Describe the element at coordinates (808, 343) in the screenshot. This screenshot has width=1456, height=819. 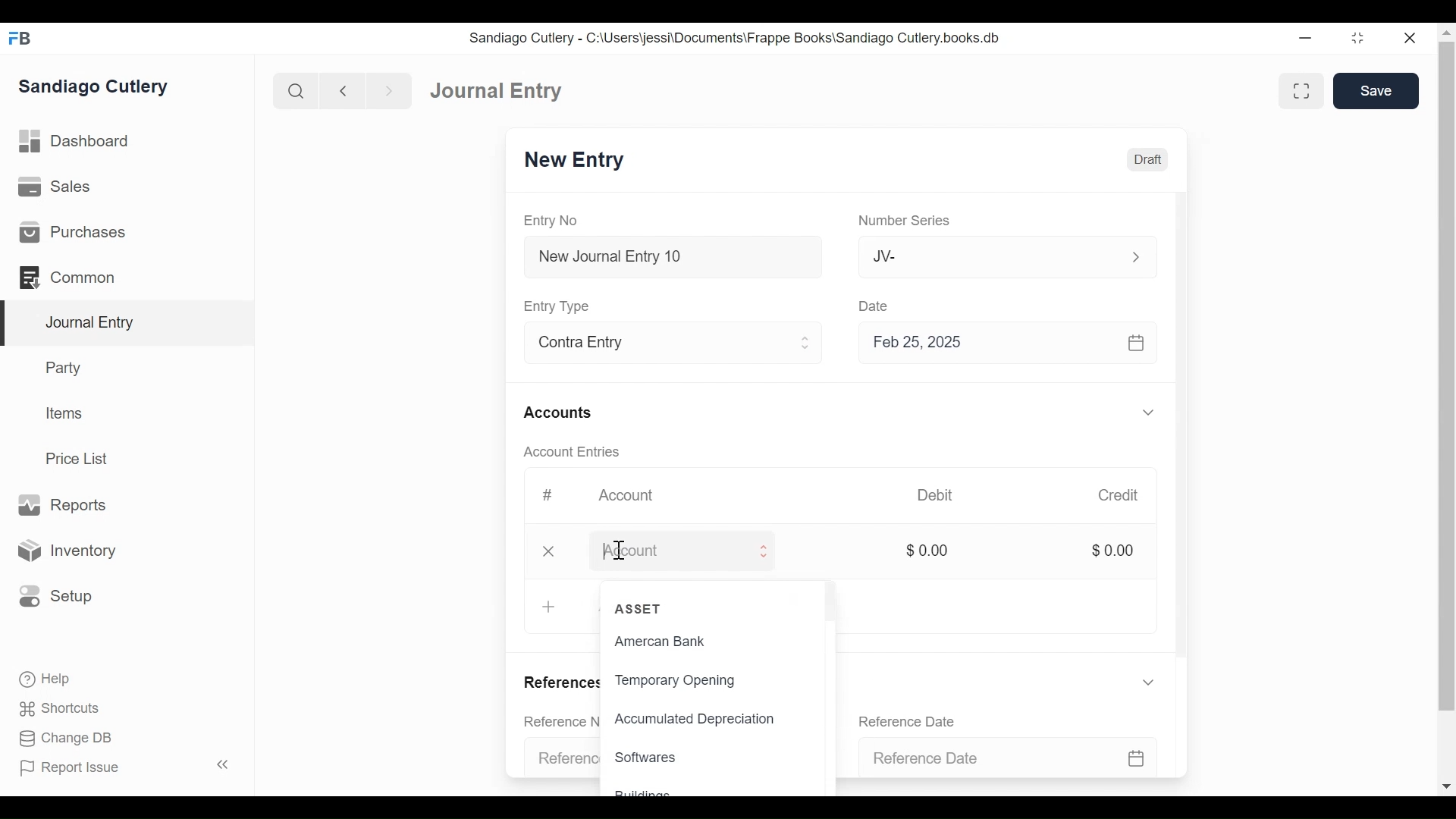
I see `Expand` at that location.